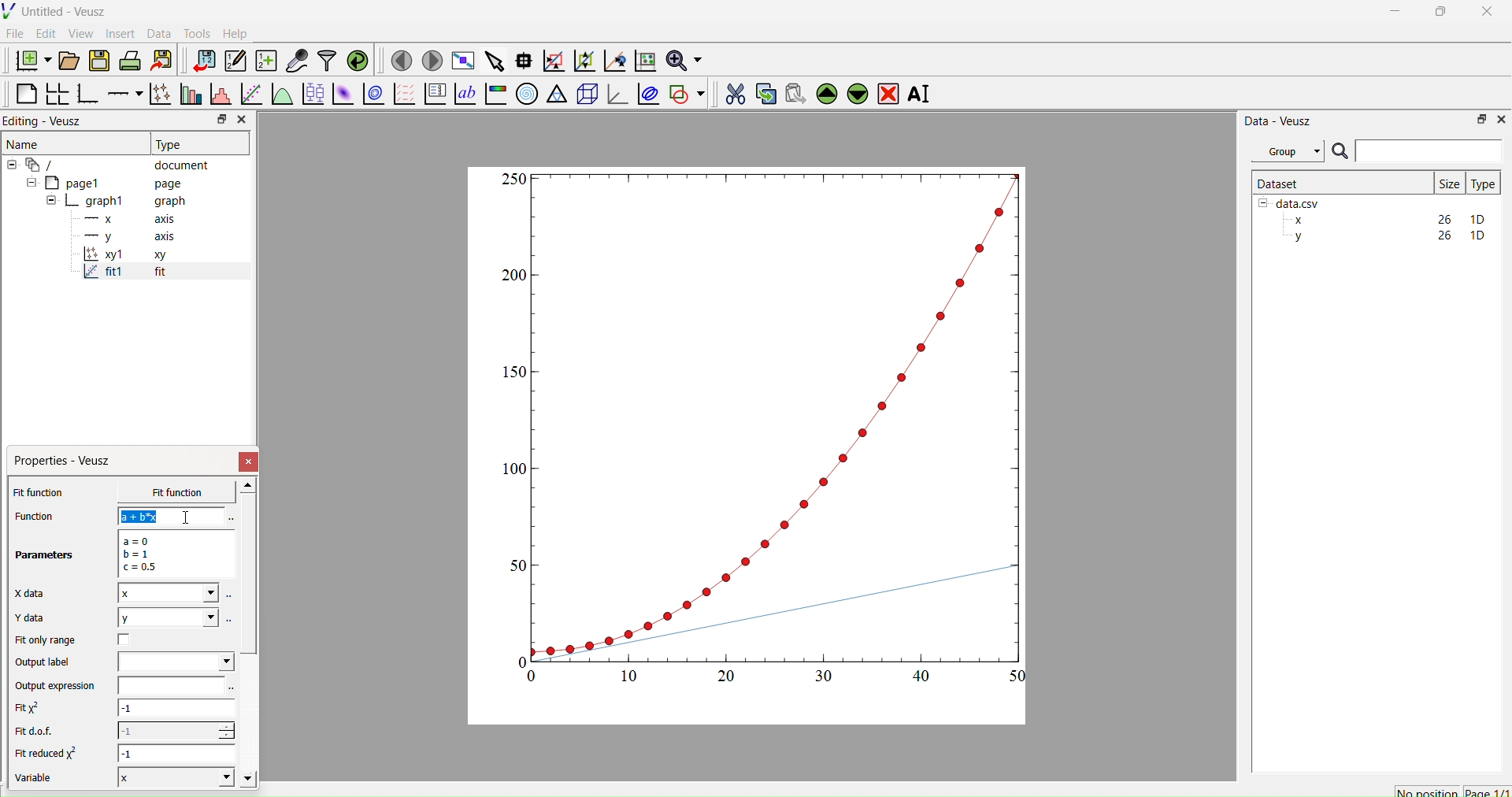 This screenshot has height=797, width=1512. Describe the element at coordinates (26, 94) in the screenshot. I see `Blank Page` at that location.